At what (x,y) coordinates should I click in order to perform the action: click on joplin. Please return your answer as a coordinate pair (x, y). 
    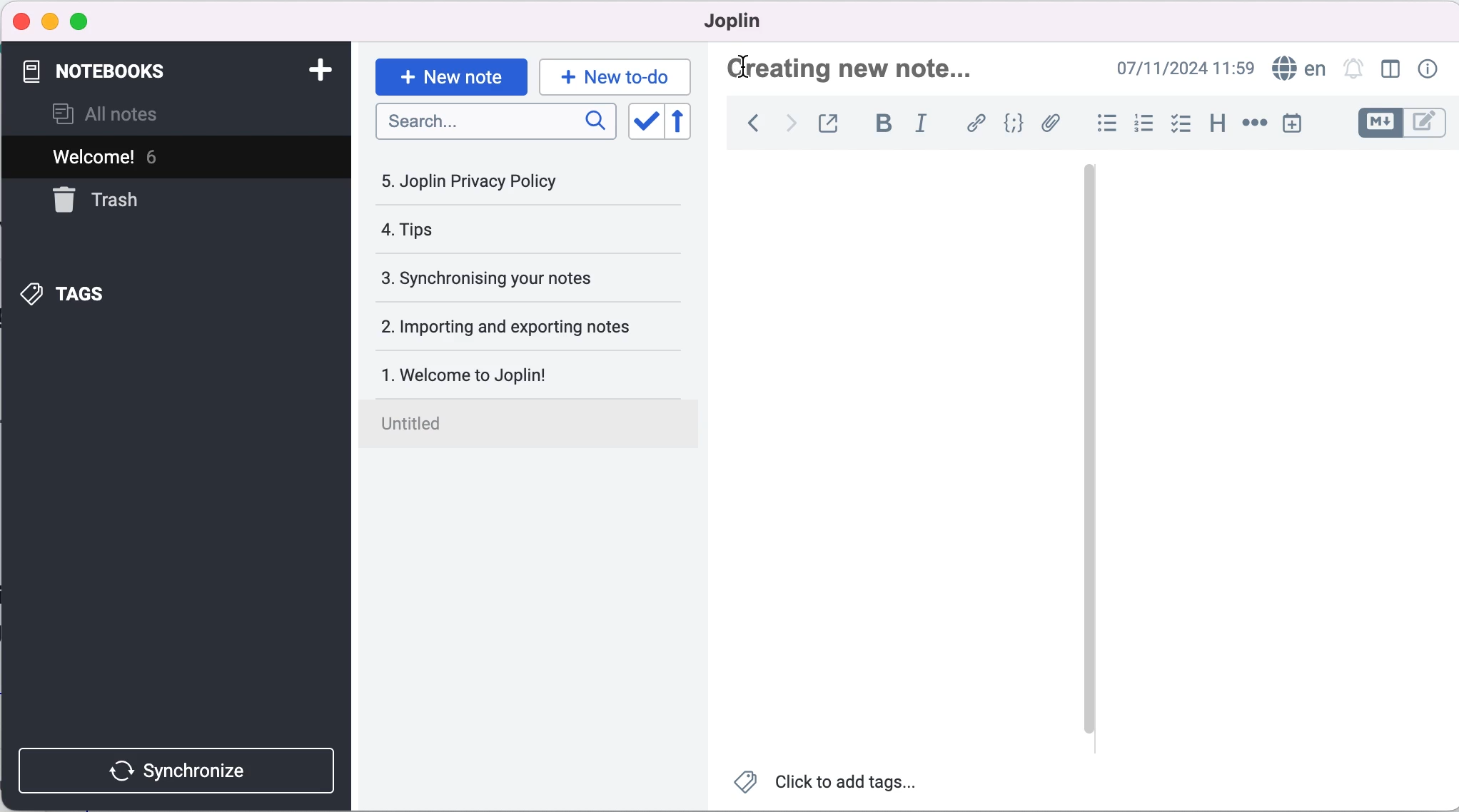
    Looking at the image, I should click on (732, 21).